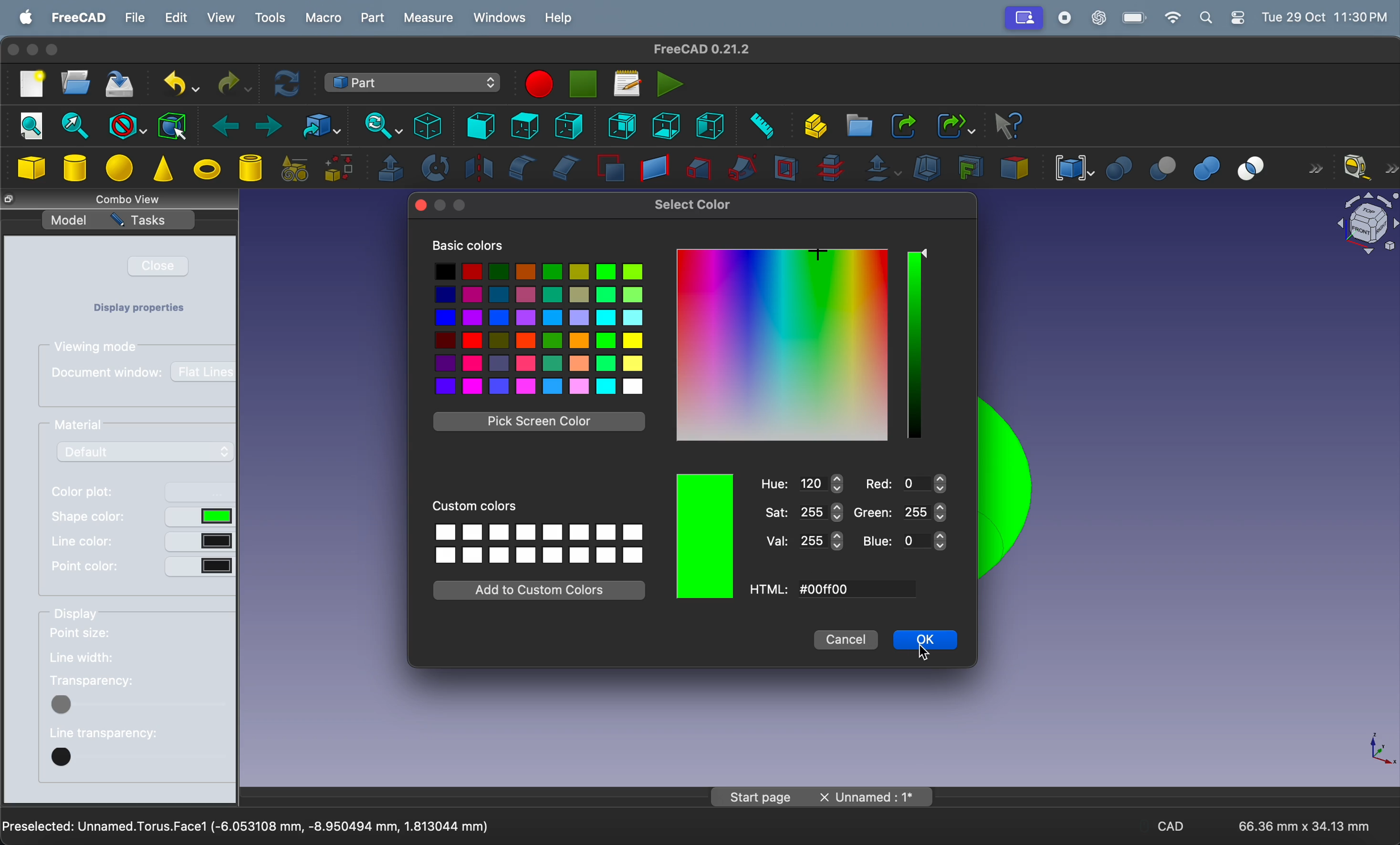 The width and height of the screenshot is (1400, 845). Describe the element at coordinates (474, 503) in the screenshot. I see `Custom colors` at that location.